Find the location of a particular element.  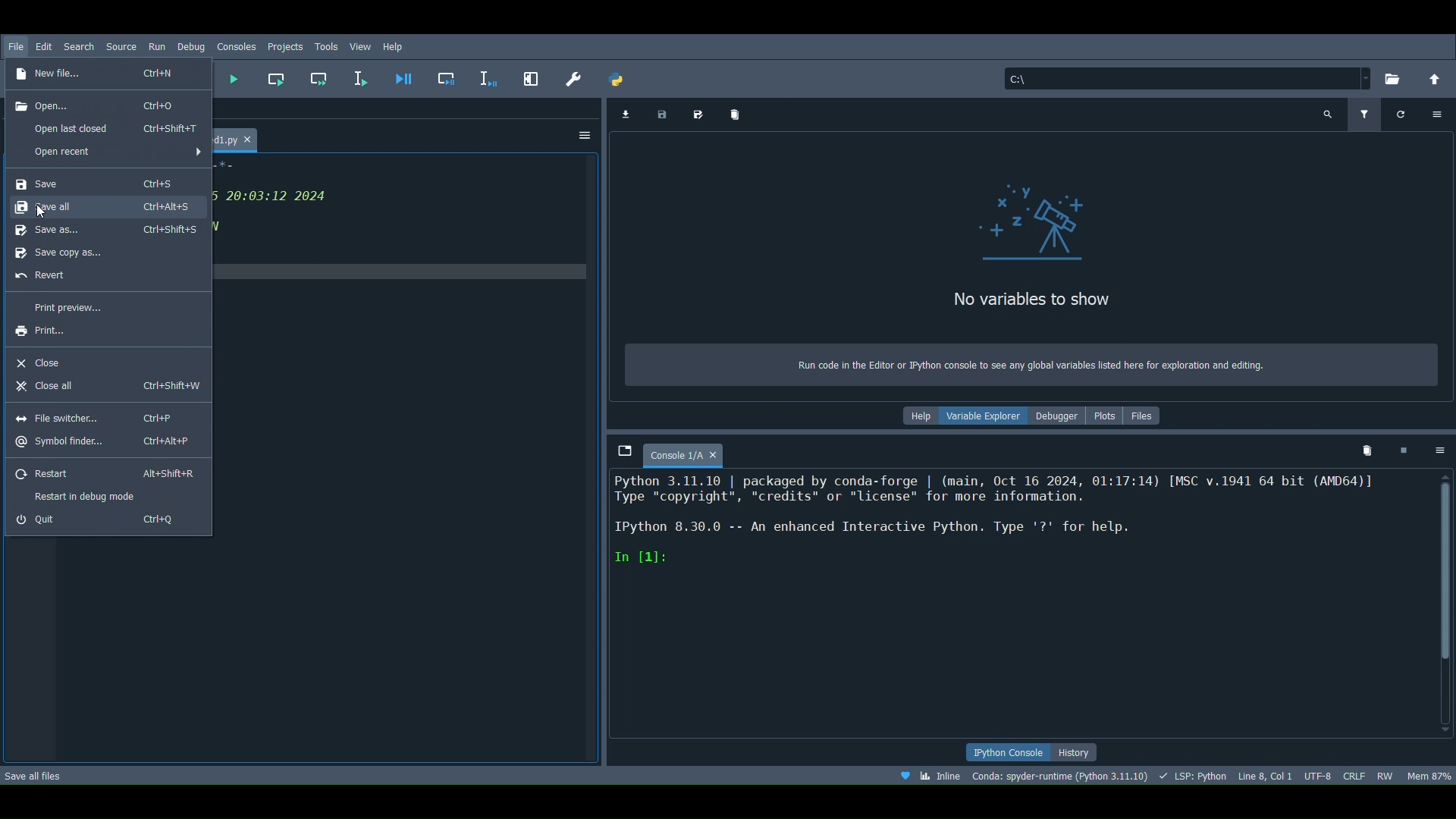

 is located at coordinates (105, 472).